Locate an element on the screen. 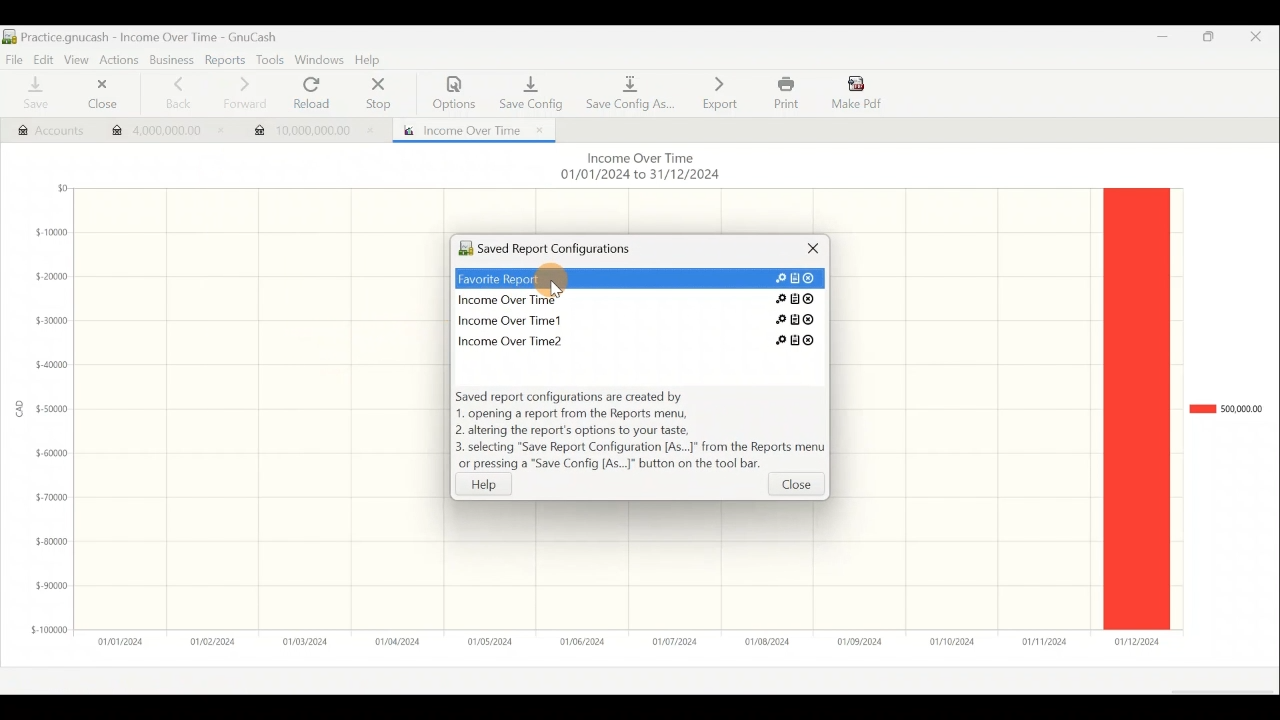 This screenshot has height=720, width=1280. Business is located at coordinates (172, 61).